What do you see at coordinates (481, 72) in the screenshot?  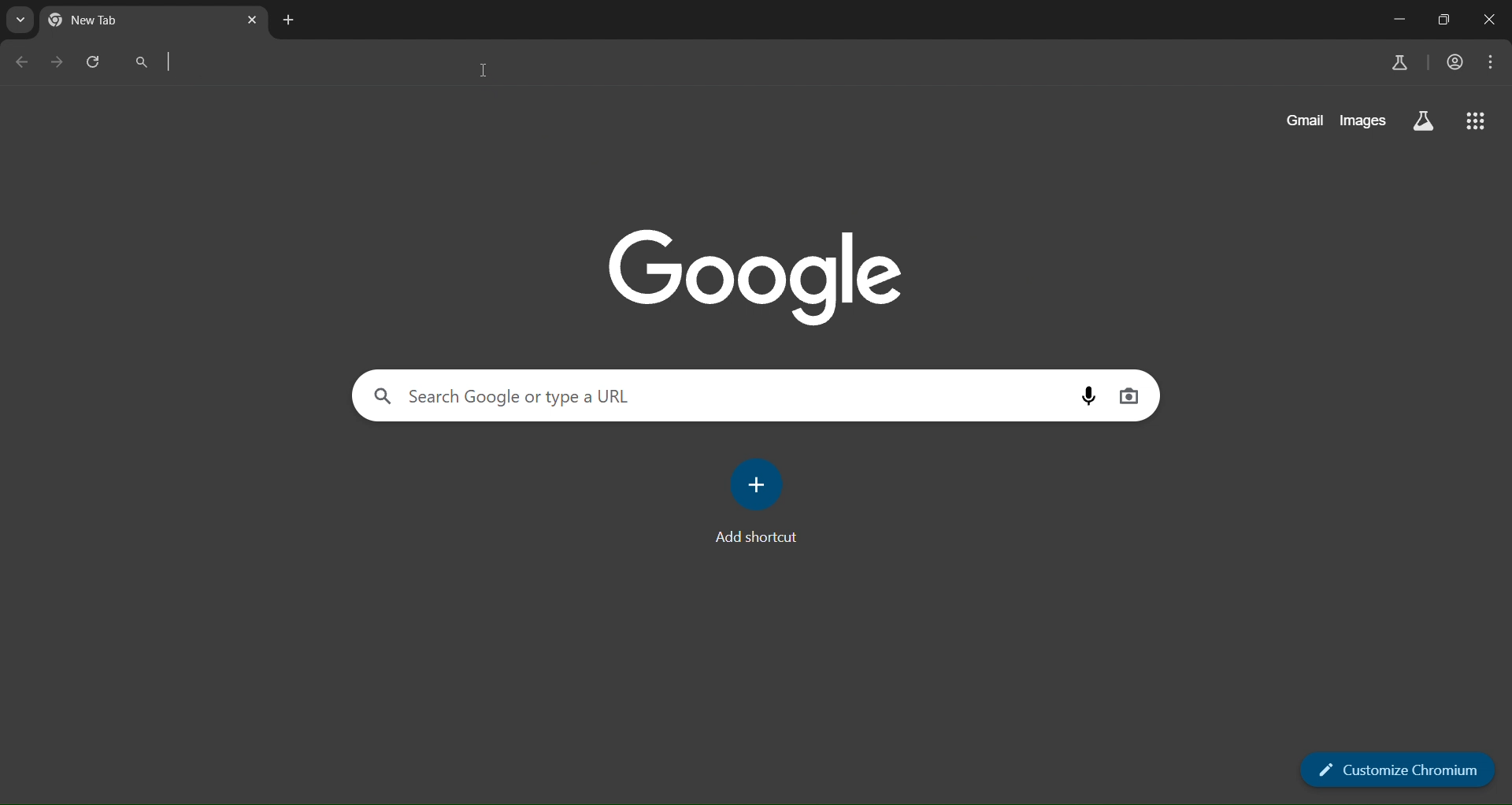 I see `cursor` at bounding box center [481, 72].